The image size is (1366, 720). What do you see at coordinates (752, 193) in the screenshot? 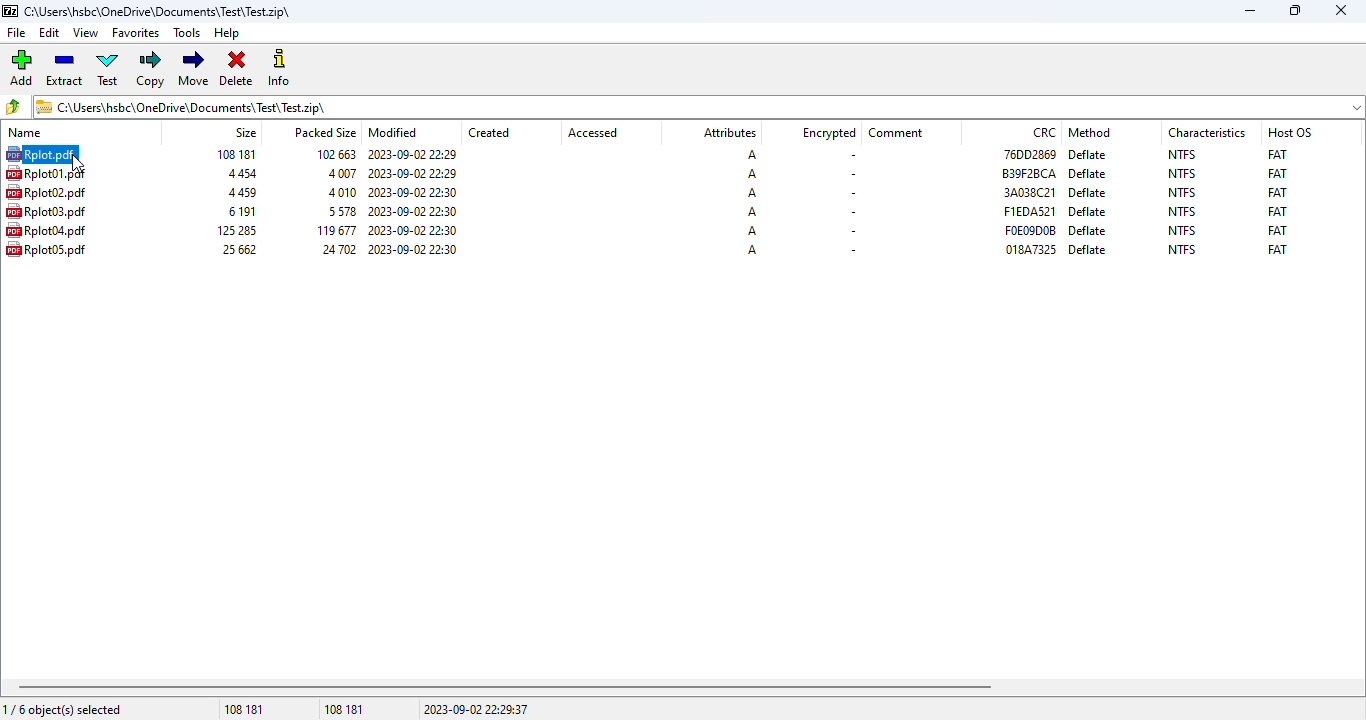
I see `A` at bounding box center [752, 193].